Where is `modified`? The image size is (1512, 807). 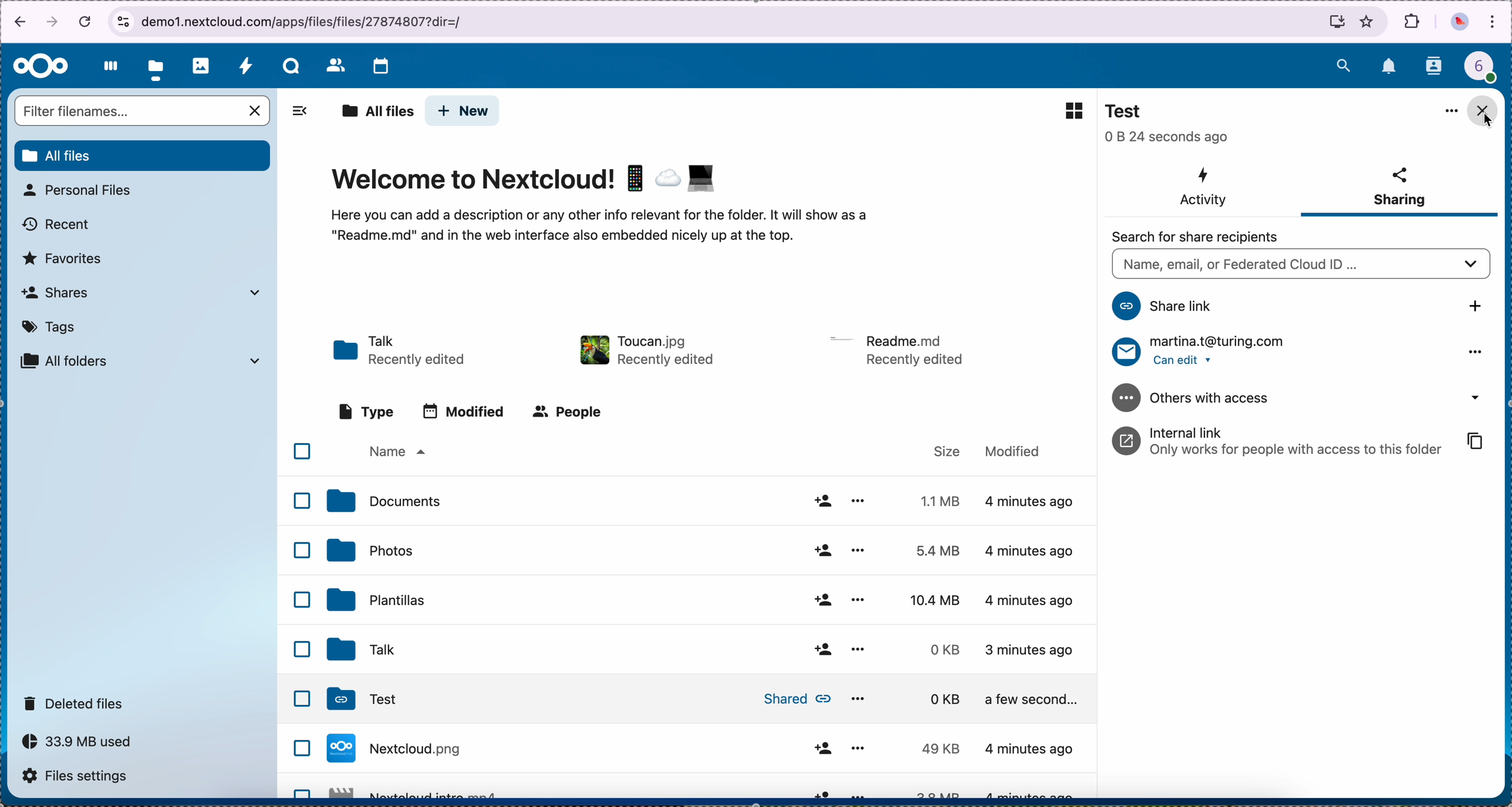 modified is located at coordinates (1020, 453).